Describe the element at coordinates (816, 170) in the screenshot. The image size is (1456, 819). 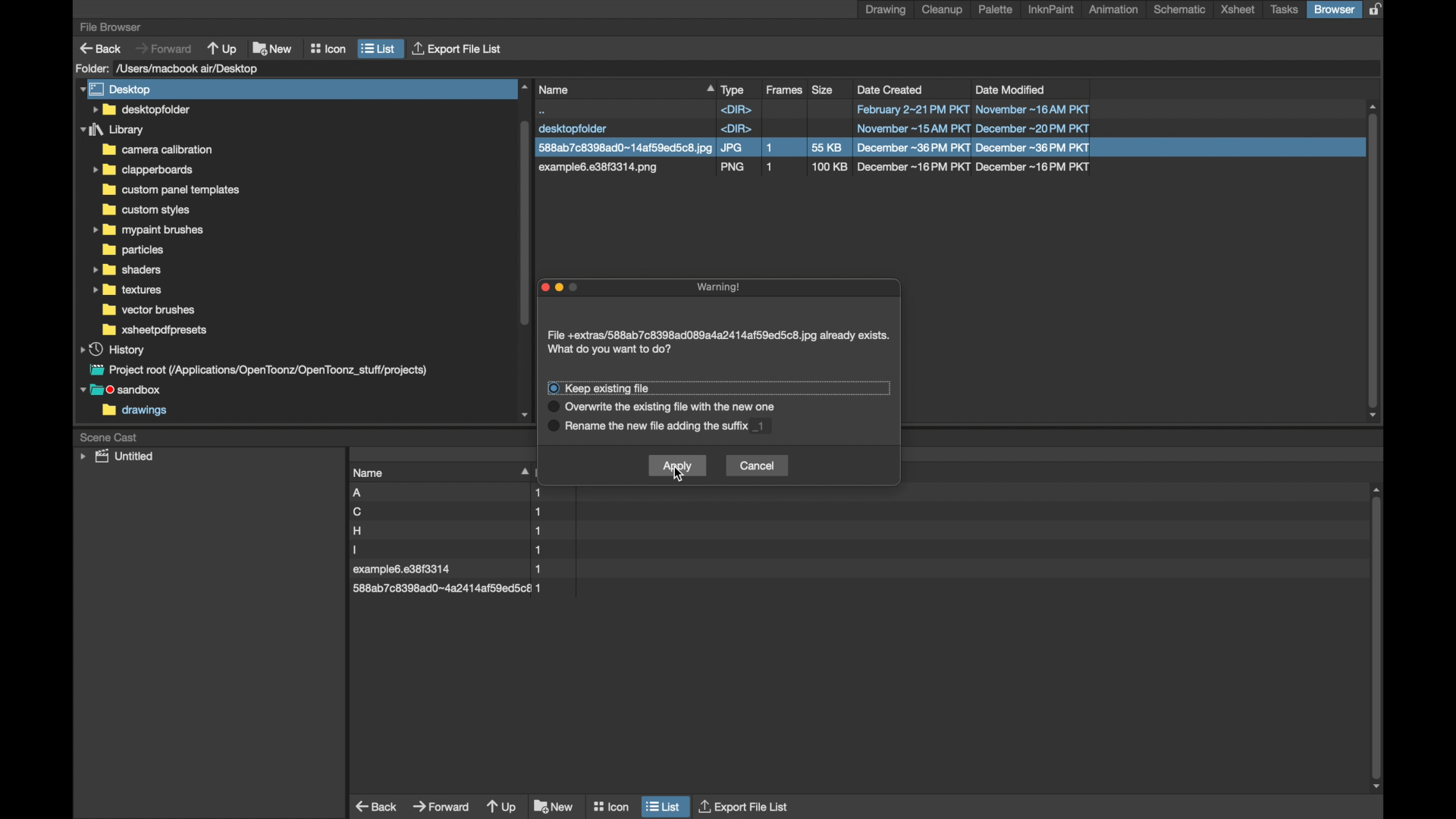
I see `file` at that location.